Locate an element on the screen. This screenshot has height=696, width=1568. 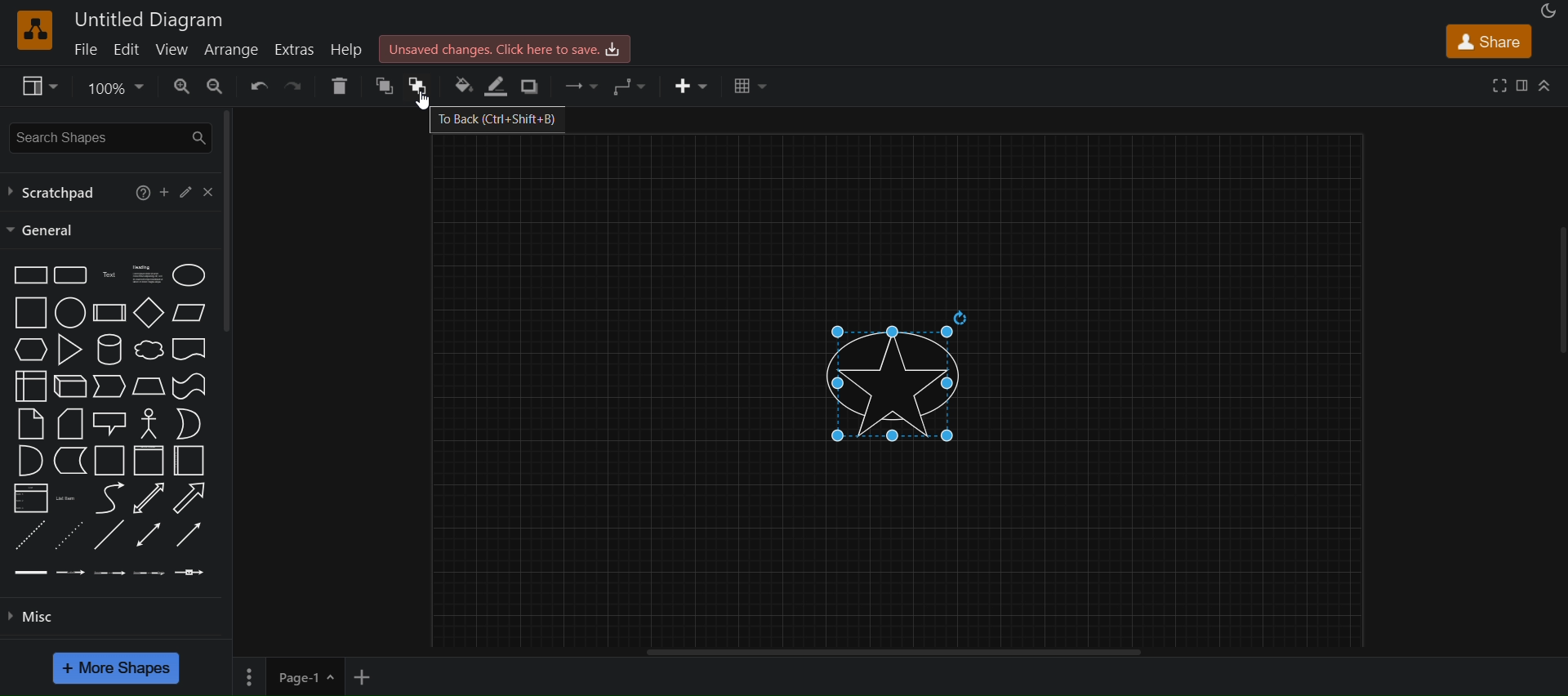
container is located at coordinates (192, 462).